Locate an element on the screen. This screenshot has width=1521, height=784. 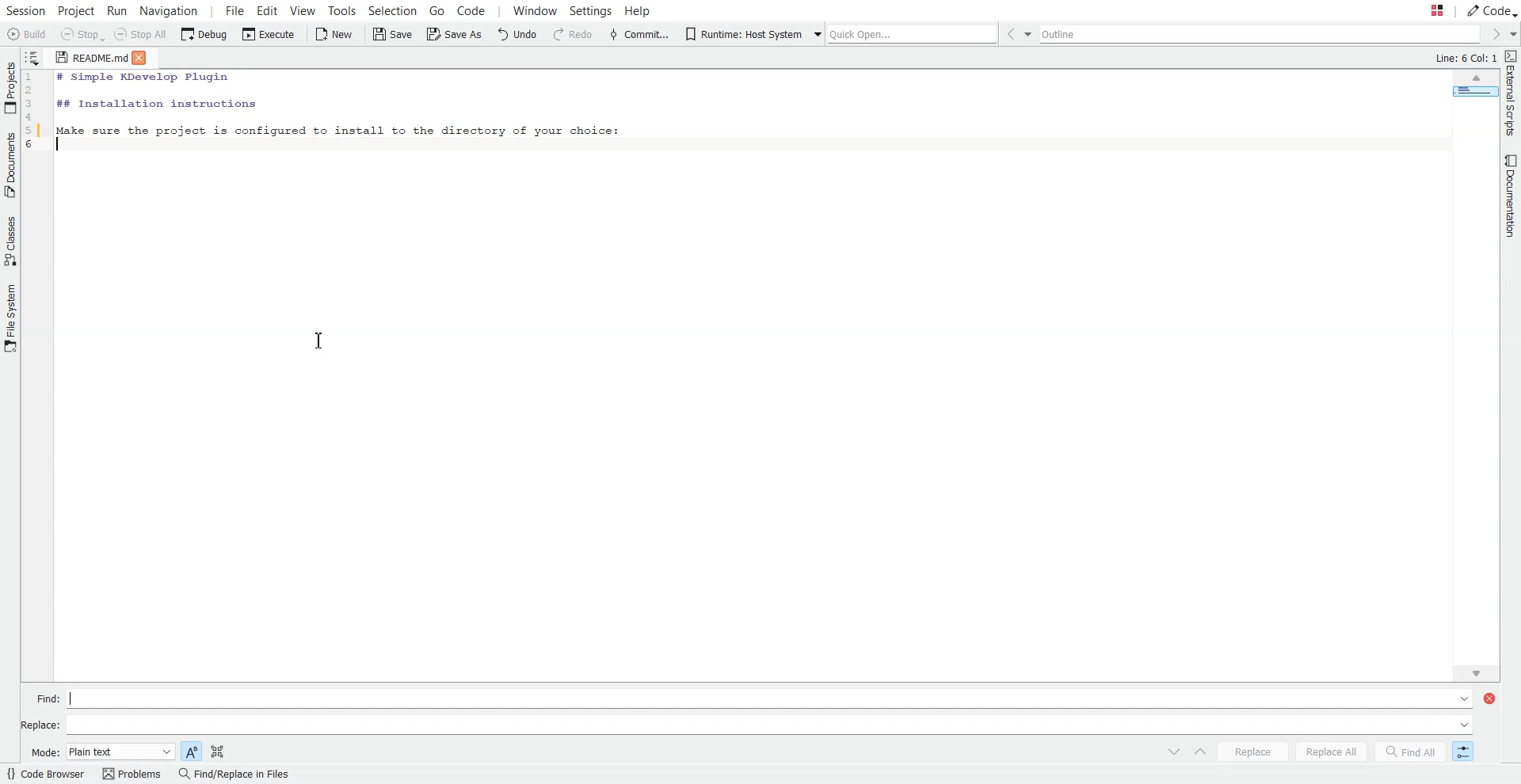
Commit is located at coordinates (639, 34).